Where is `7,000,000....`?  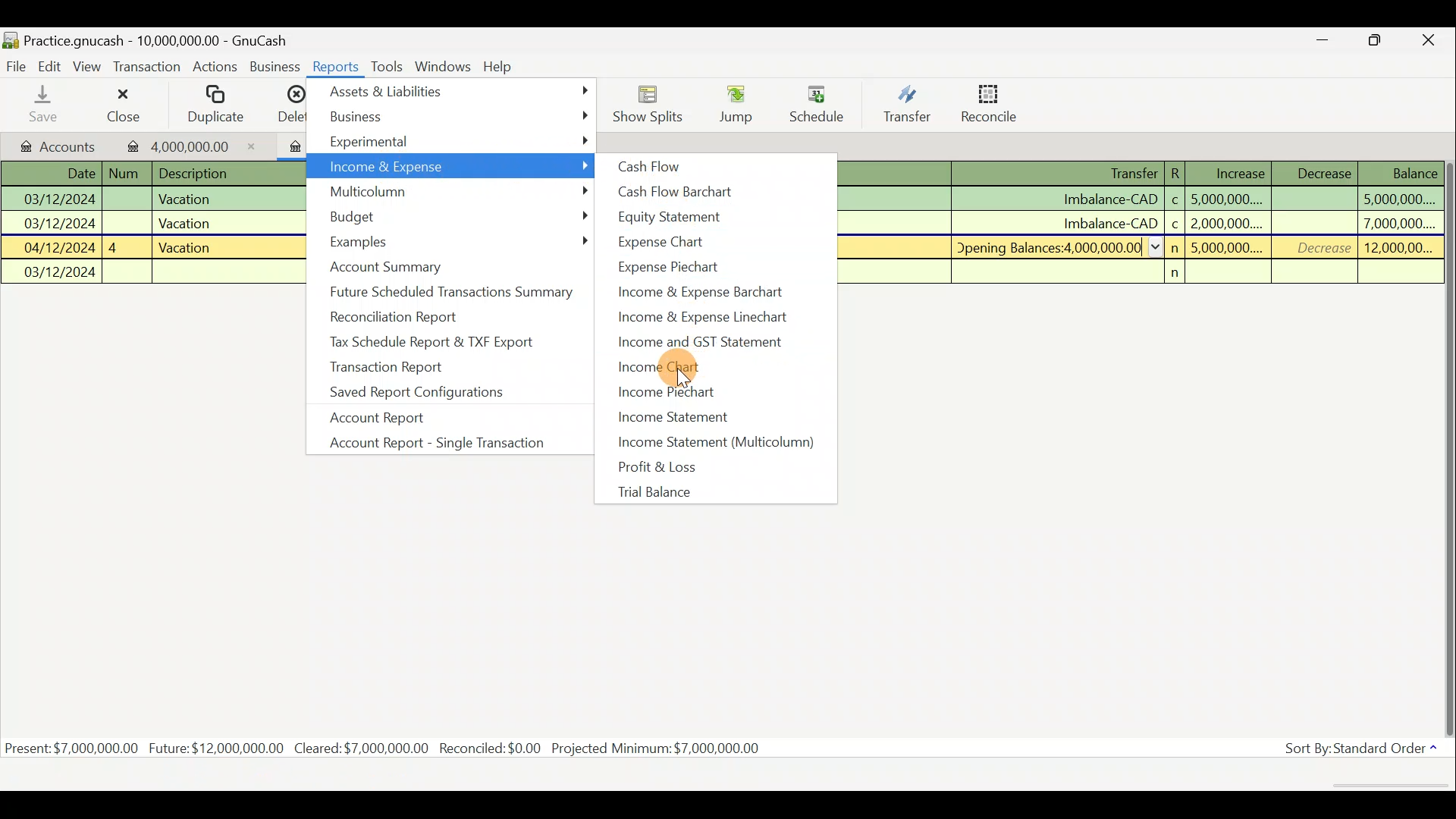 7,000,000.... is located at coordinates (1399, 223).